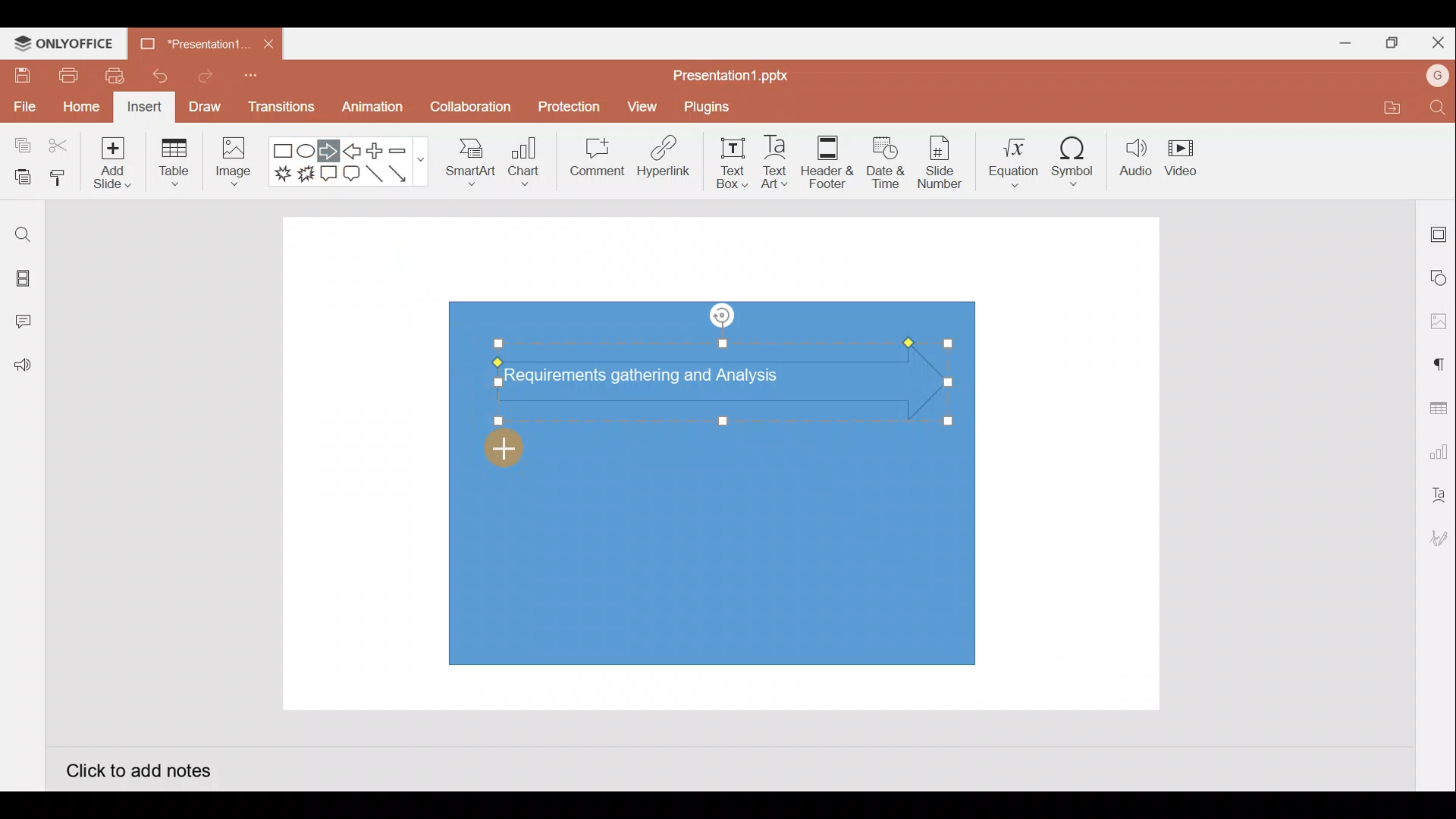  Describe the element at coordinates (59, 146) in the screenshot. I see `Cut` at that location.